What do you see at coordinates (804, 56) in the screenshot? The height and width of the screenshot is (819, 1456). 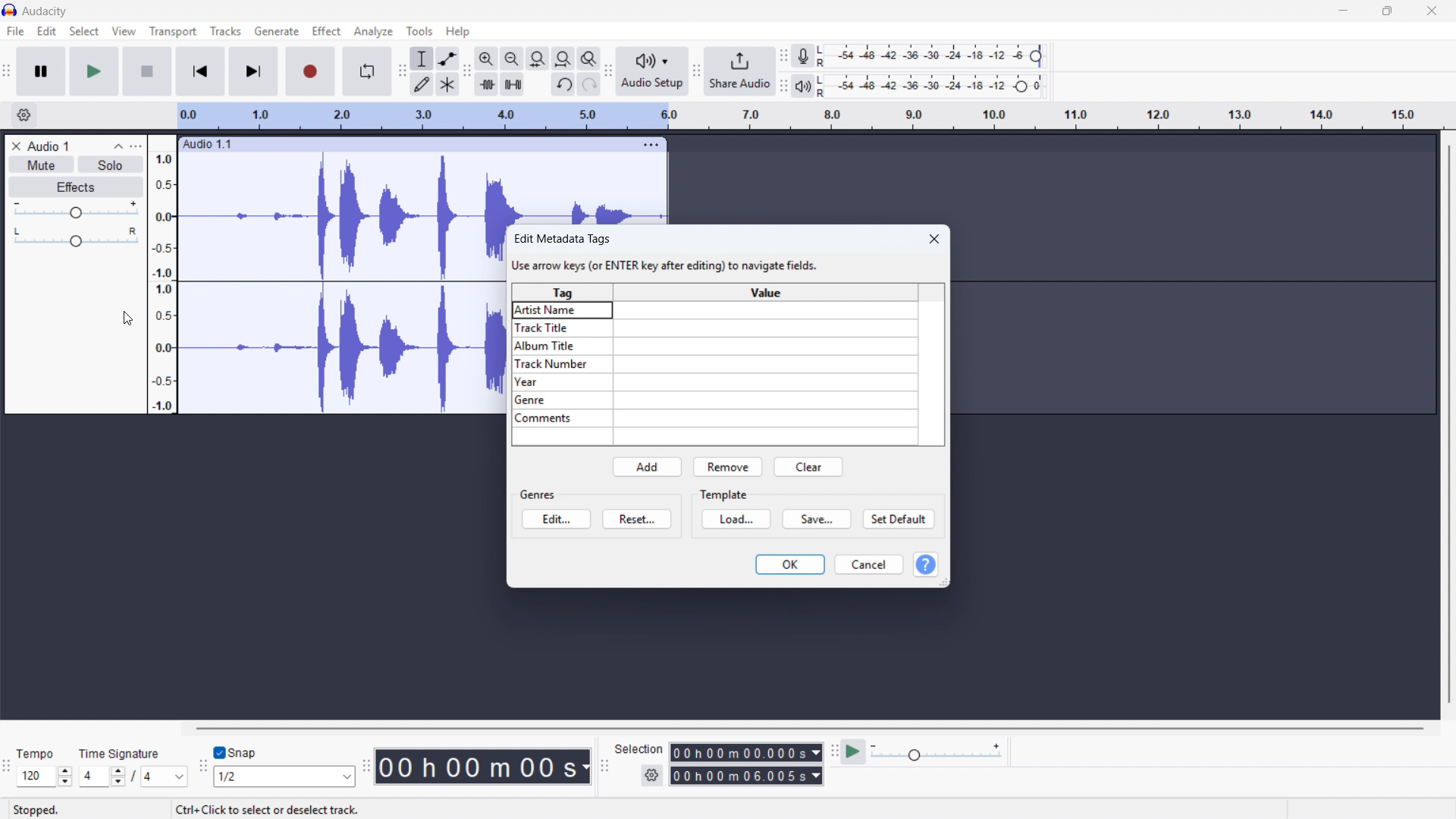 I see `recording meter ` at bounding box center [804, 56].